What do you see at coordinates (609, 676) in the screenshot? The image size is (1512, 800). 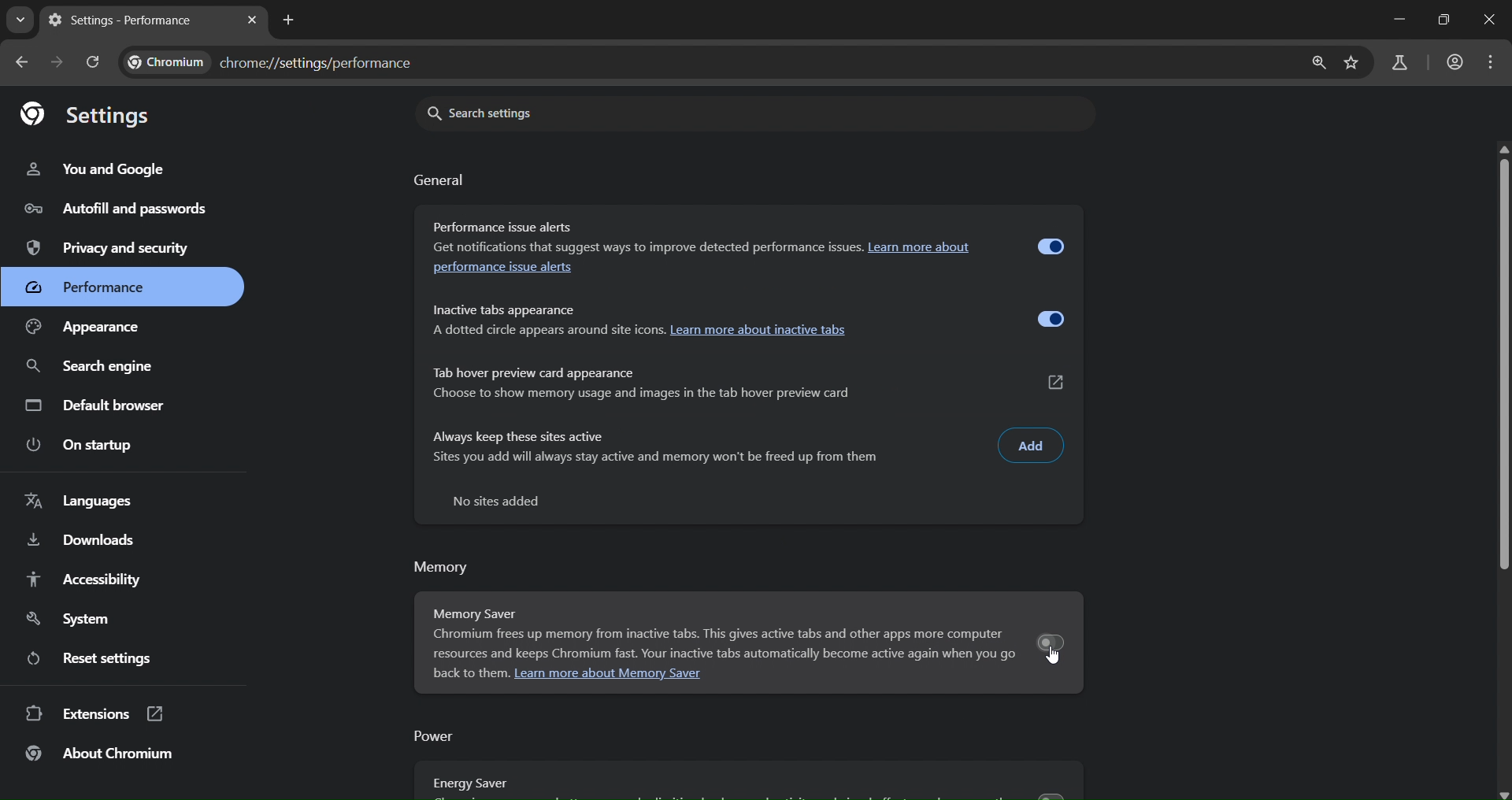 I see `. Learn more about Memory Saver` at bounding box center [609, 676].